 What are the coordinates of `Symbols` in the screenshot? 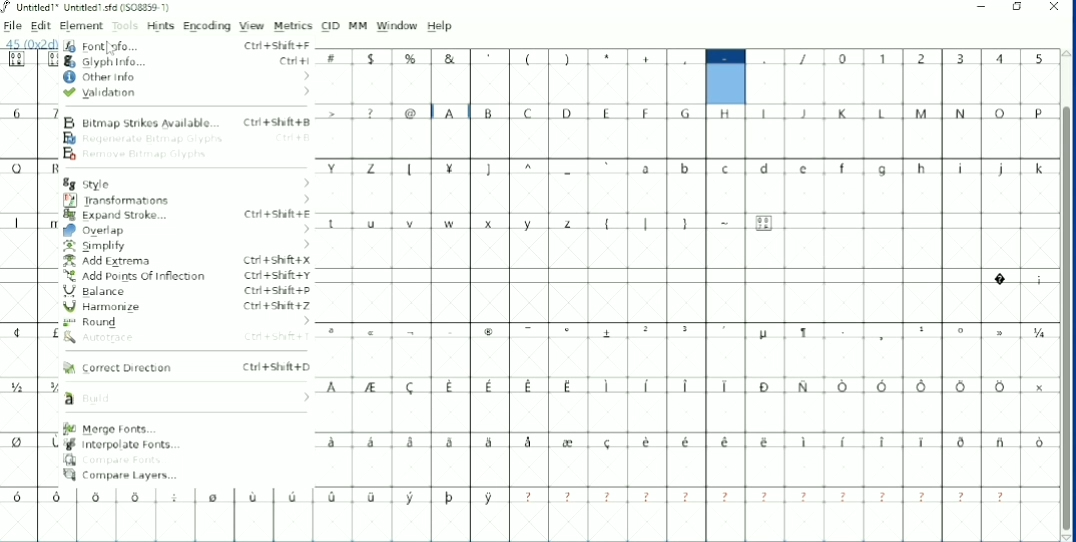 It's located at (688, 223).